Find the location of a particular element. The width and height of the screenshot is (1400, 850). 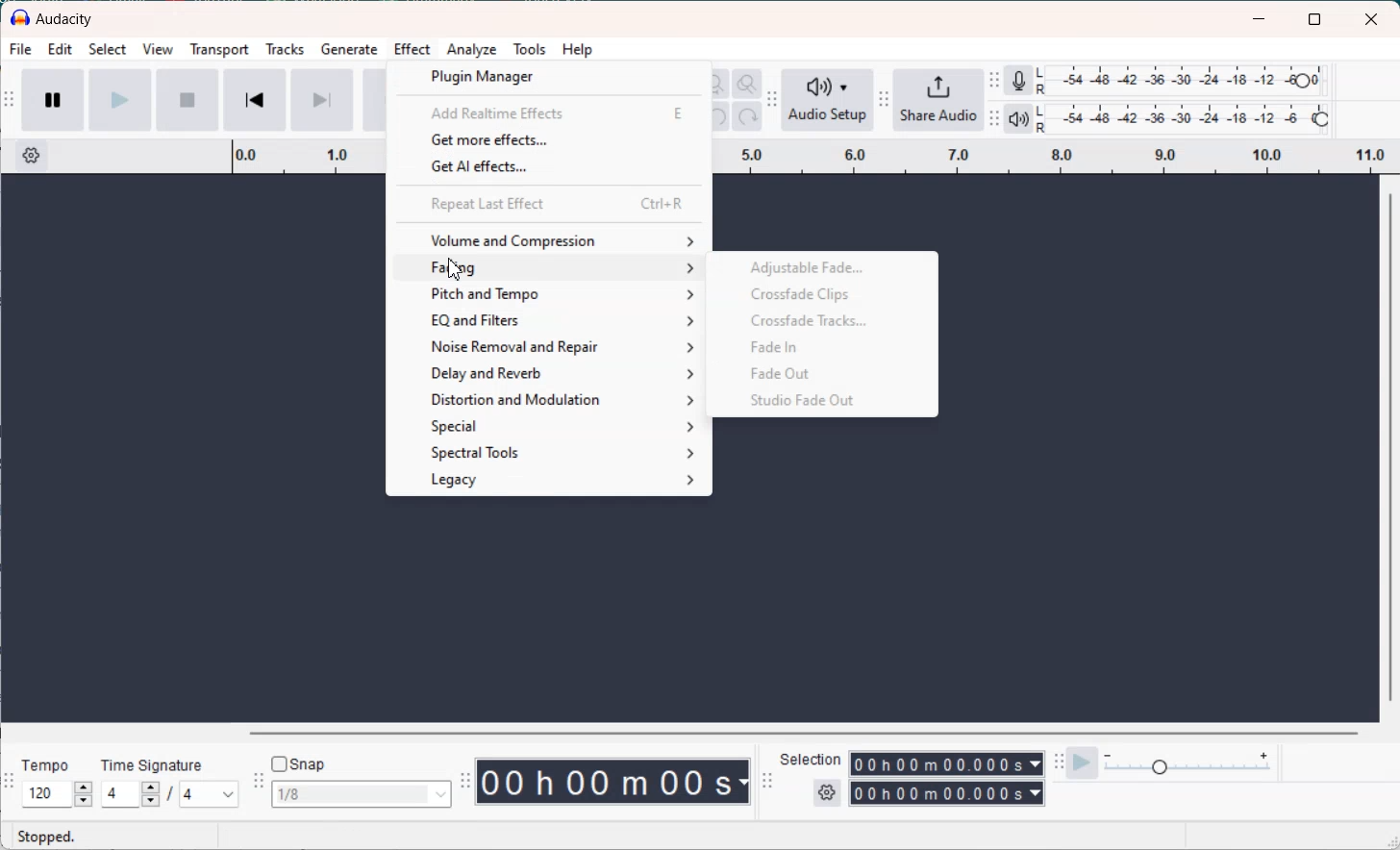

Audacity time signature toolbar is located at coordinates (9, 780).